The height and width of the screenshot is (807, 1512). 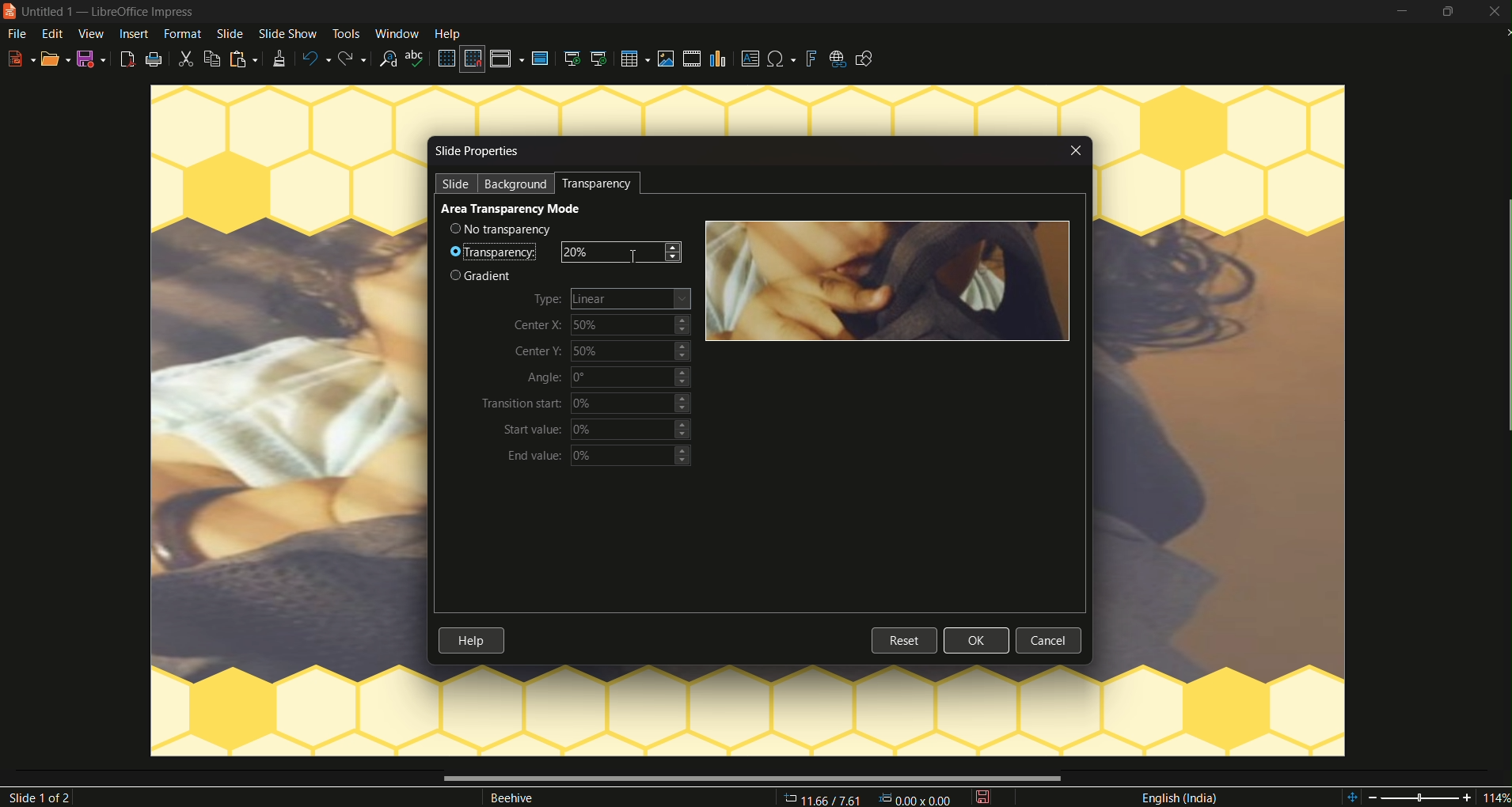 I want to click on tools, so click(x=345, y=34).